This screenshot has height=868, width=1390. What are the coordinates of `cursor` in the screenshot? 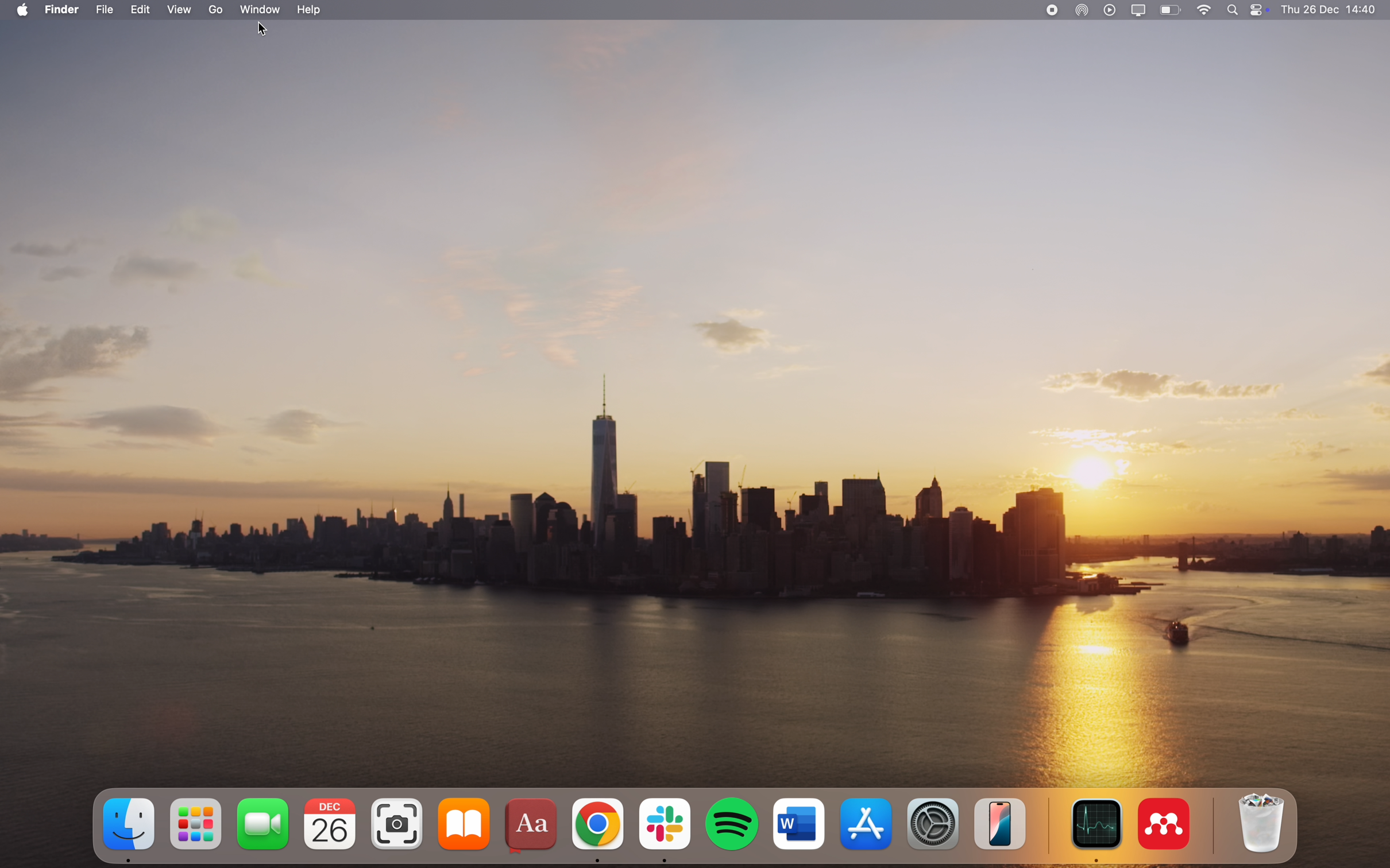 It's located at (261, 30).